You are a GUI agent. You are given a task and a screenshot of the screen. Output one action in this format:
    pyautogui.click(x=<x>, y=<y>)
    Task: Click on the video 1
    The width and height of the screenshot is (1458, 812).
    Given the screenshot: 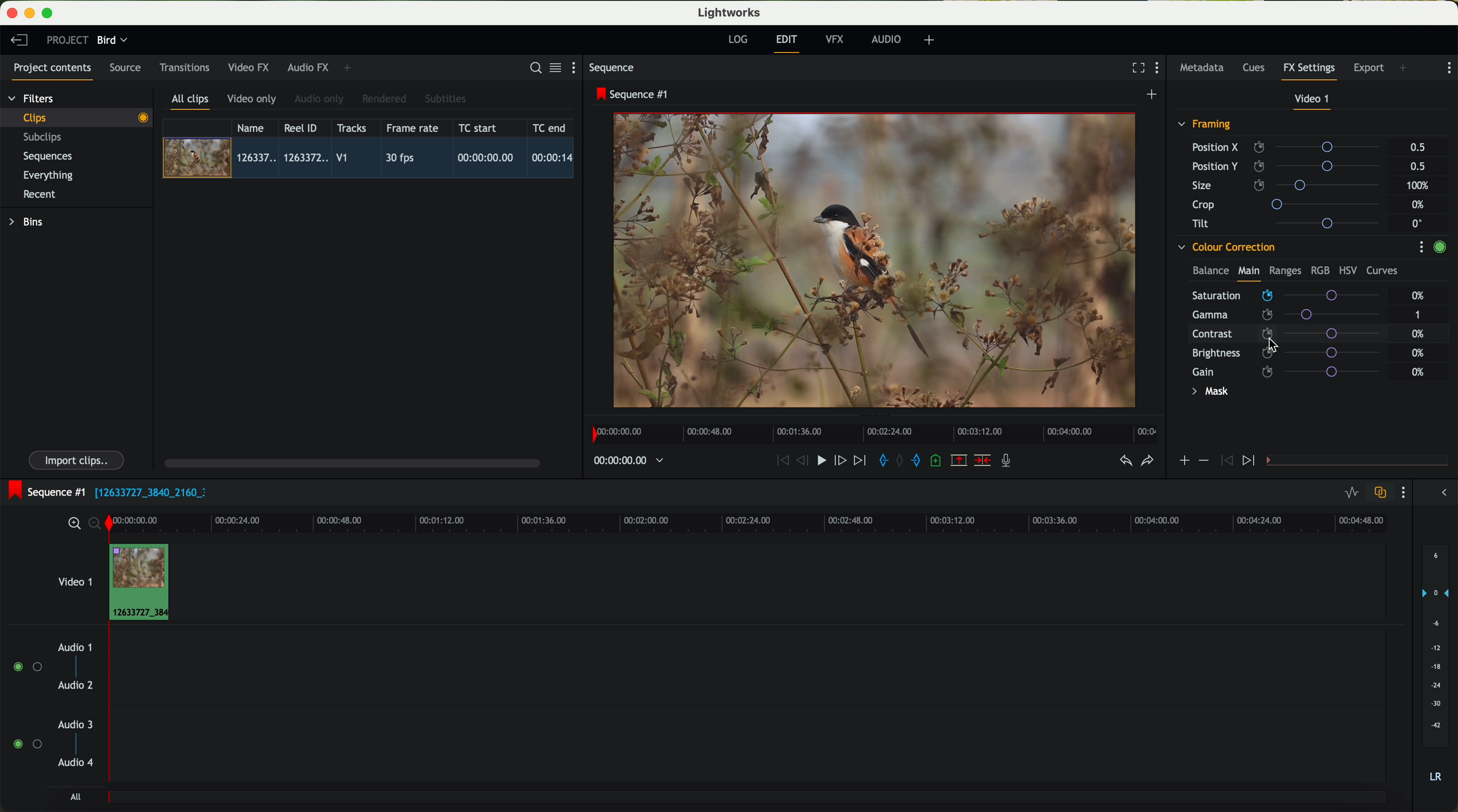 What is the action you would take?
    pyautogui.click(x=74, y=579)
    